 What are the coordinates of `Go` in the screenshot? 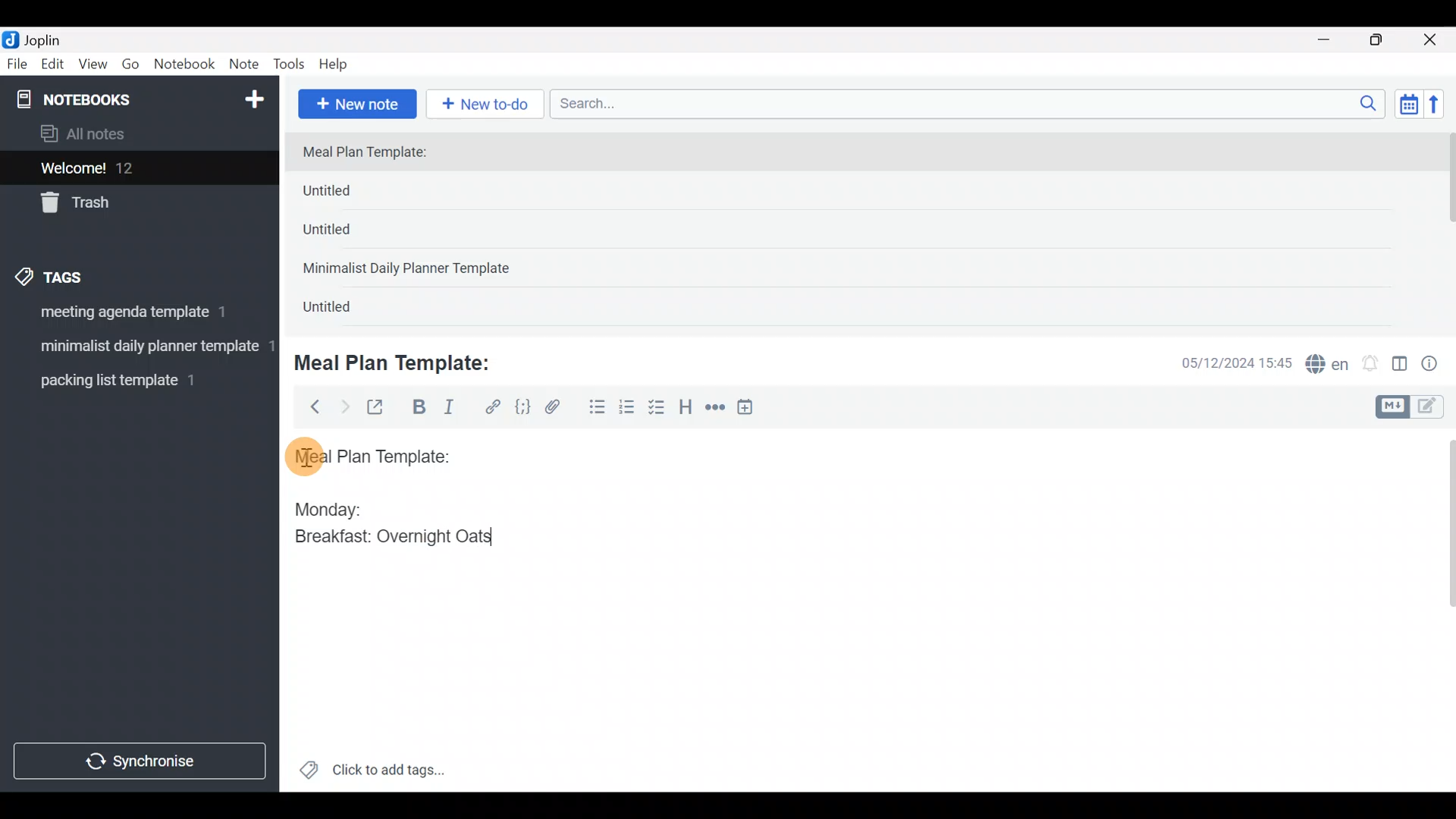 It's located at (130, 67).